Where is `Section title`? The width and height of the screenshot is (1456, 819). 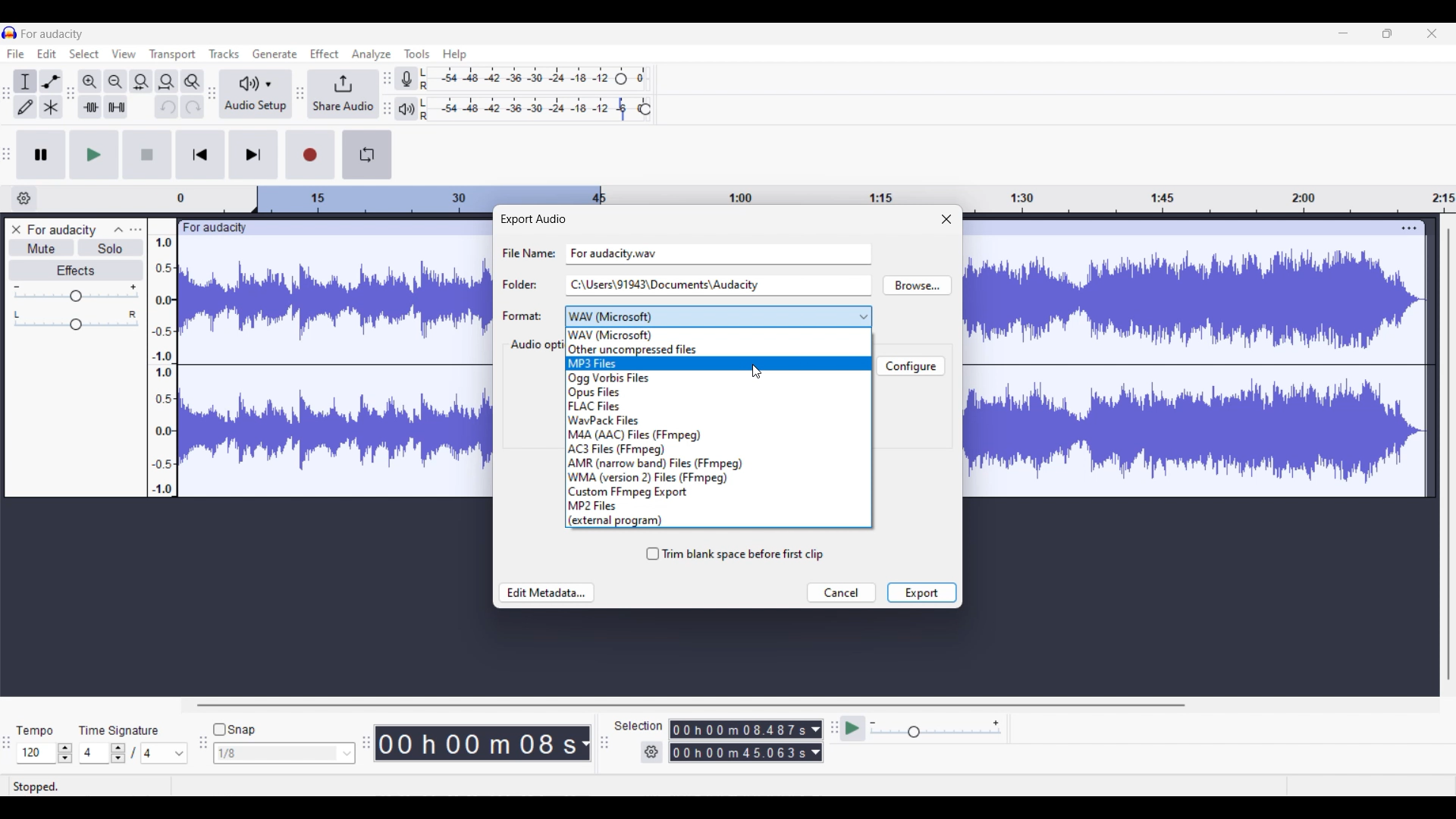
Section title is located at coordinates (535, 345).